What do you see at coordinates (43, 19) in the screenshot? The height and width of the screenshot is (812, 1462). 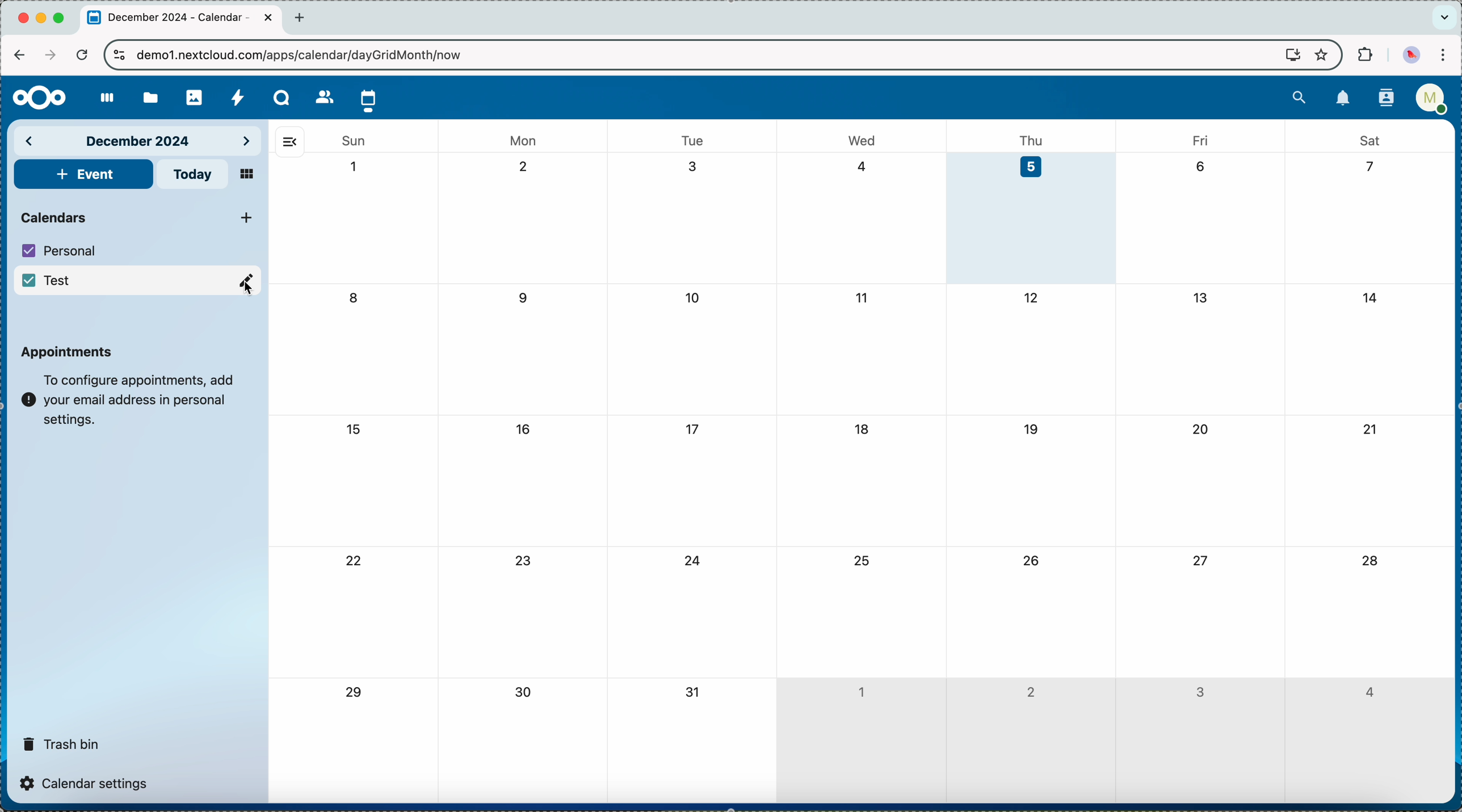 I see `minimize` at bounding box center [43, 19].